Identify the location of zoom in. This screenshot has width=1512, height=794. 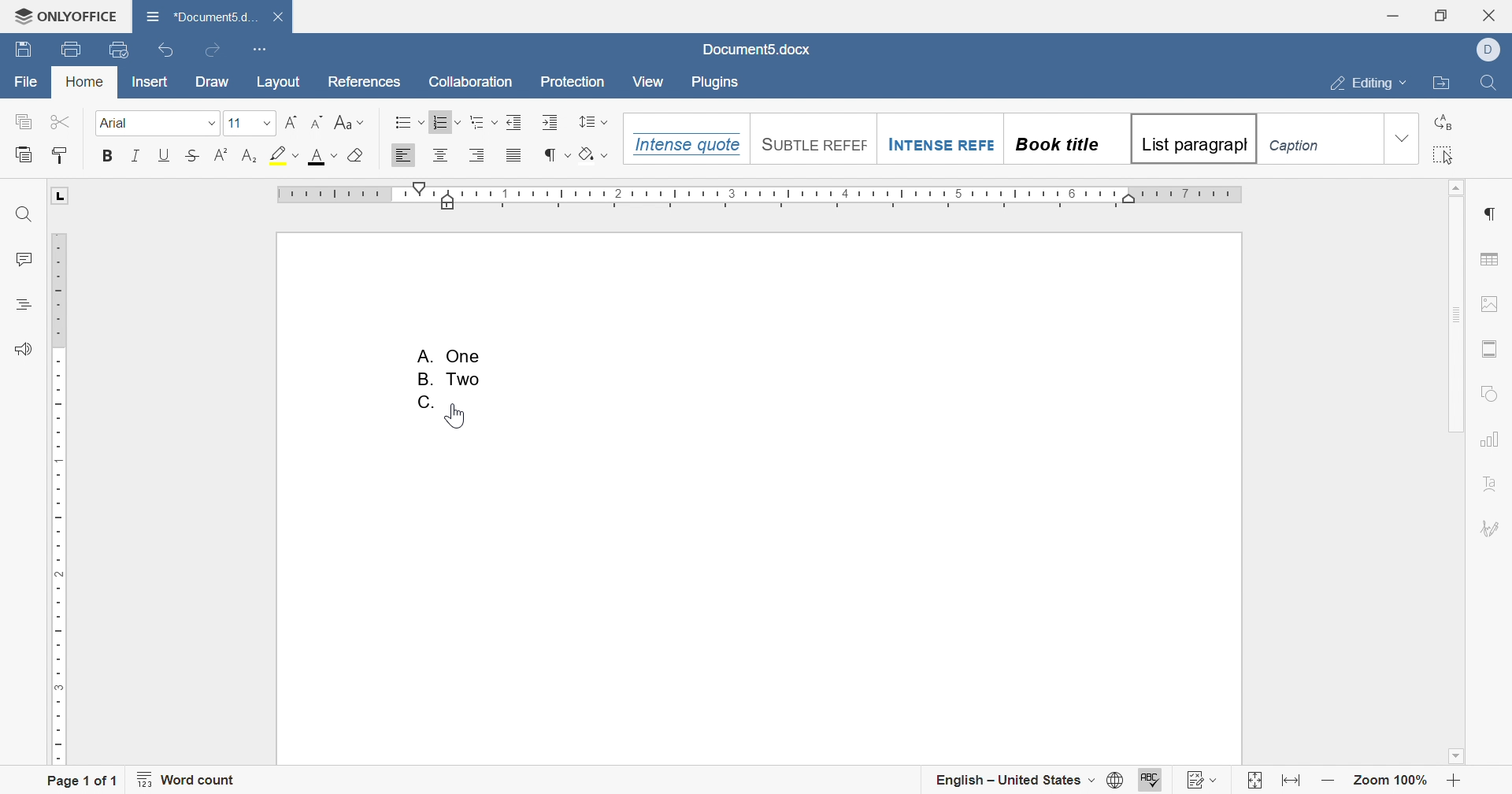
(1455, 783).